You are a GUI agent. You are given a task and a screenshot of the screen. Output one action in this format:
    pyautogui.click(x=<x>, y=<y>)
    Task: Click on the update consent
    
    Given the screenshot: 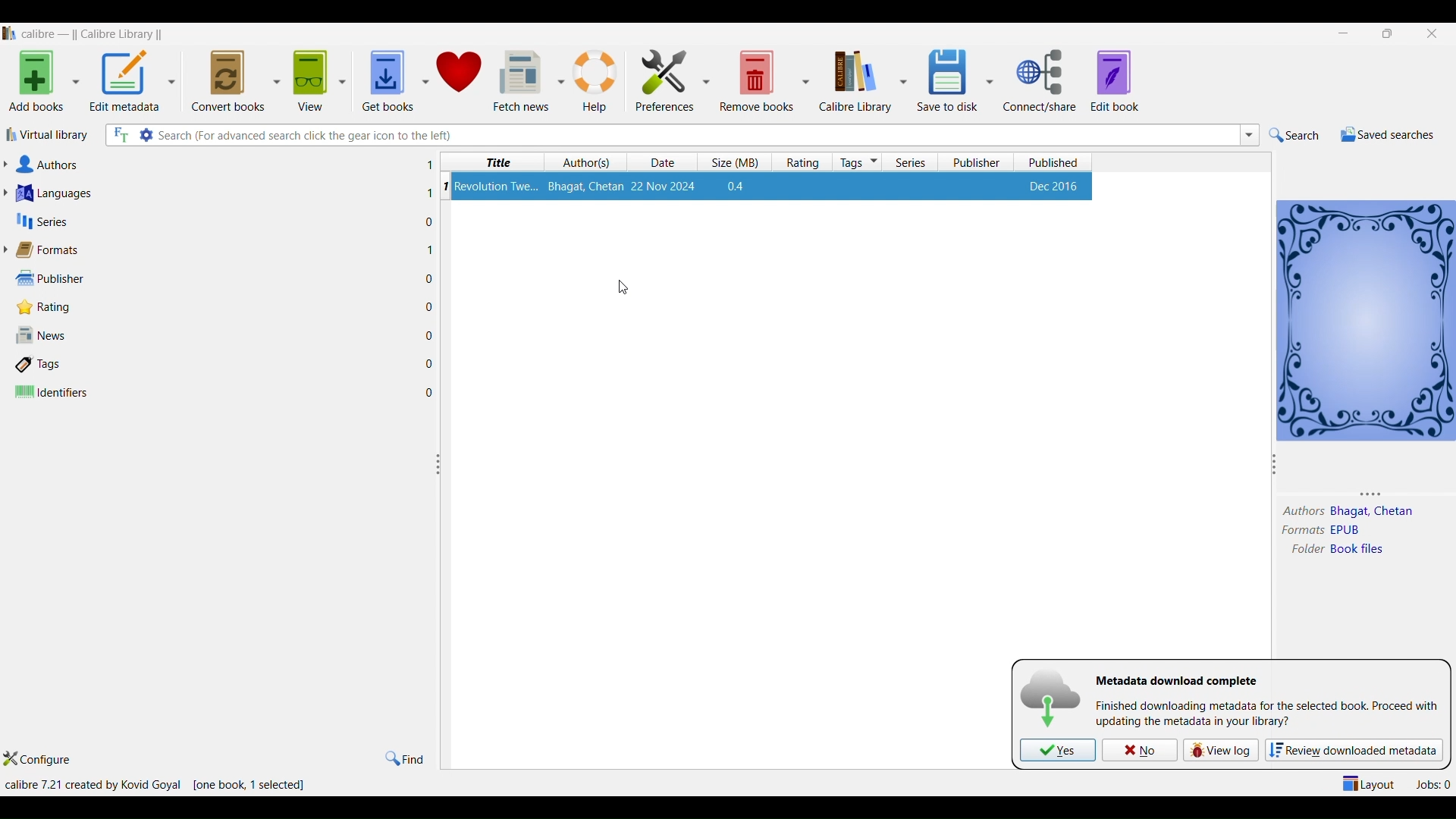 What is the action you would take?
    pyautogui.click(x=1267, y=716)
    